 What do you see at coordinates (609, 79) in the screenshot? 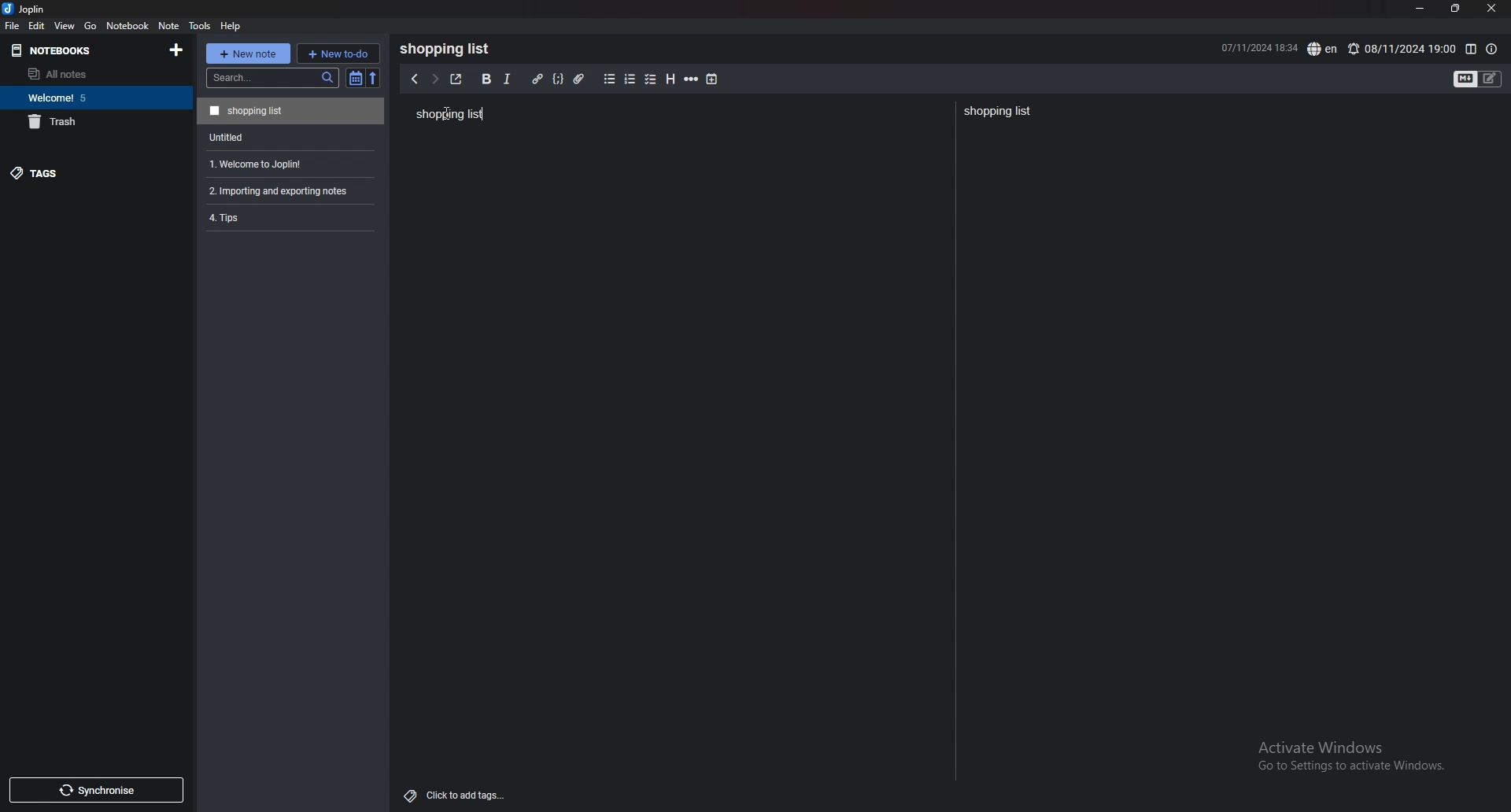
I see `bullet list` at bounding box center [609, 79].